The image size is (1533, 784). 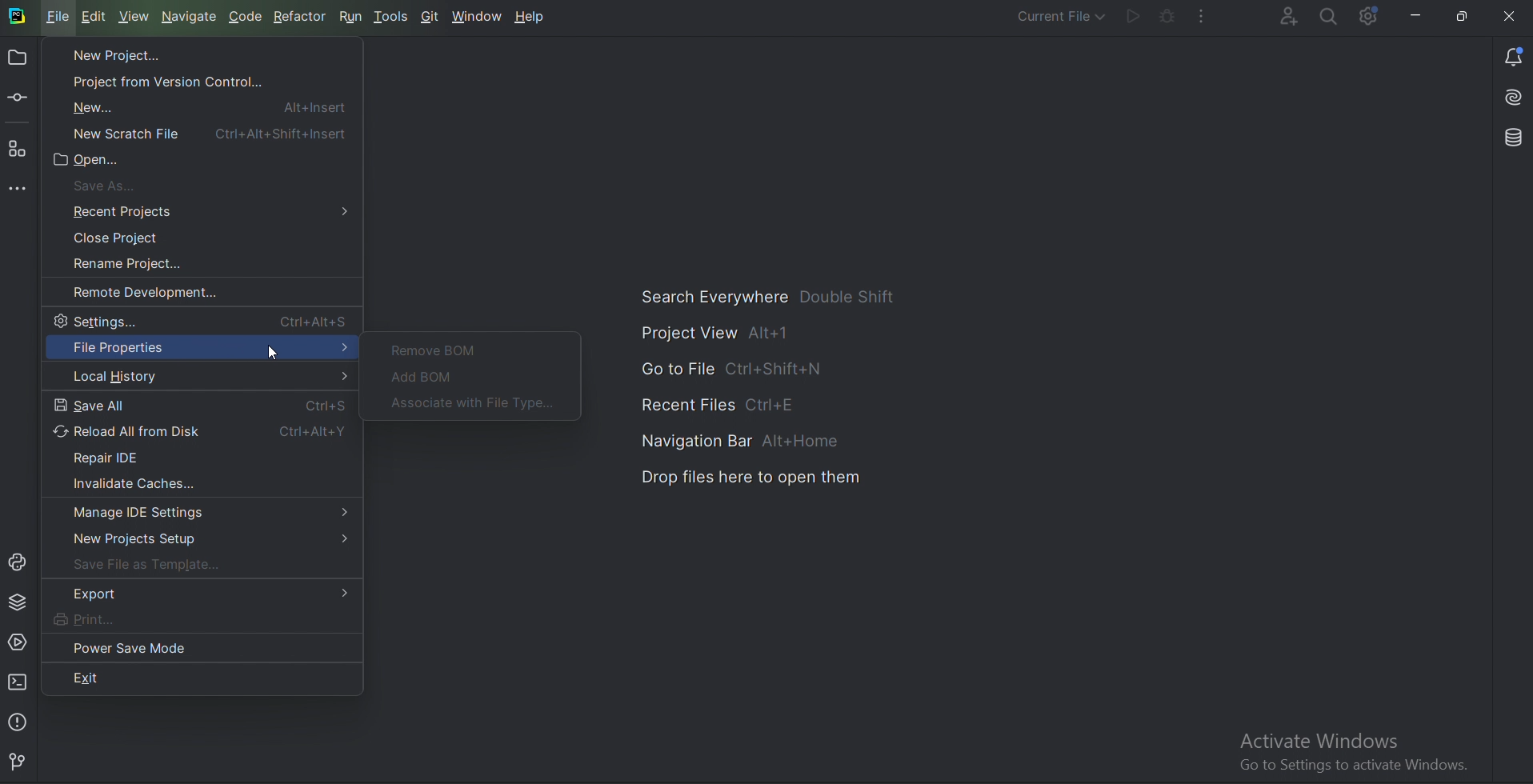 What do you see at coordinates (140, 265) in the screenshot?
I see `Rename project` at bounding box center [140, 265].